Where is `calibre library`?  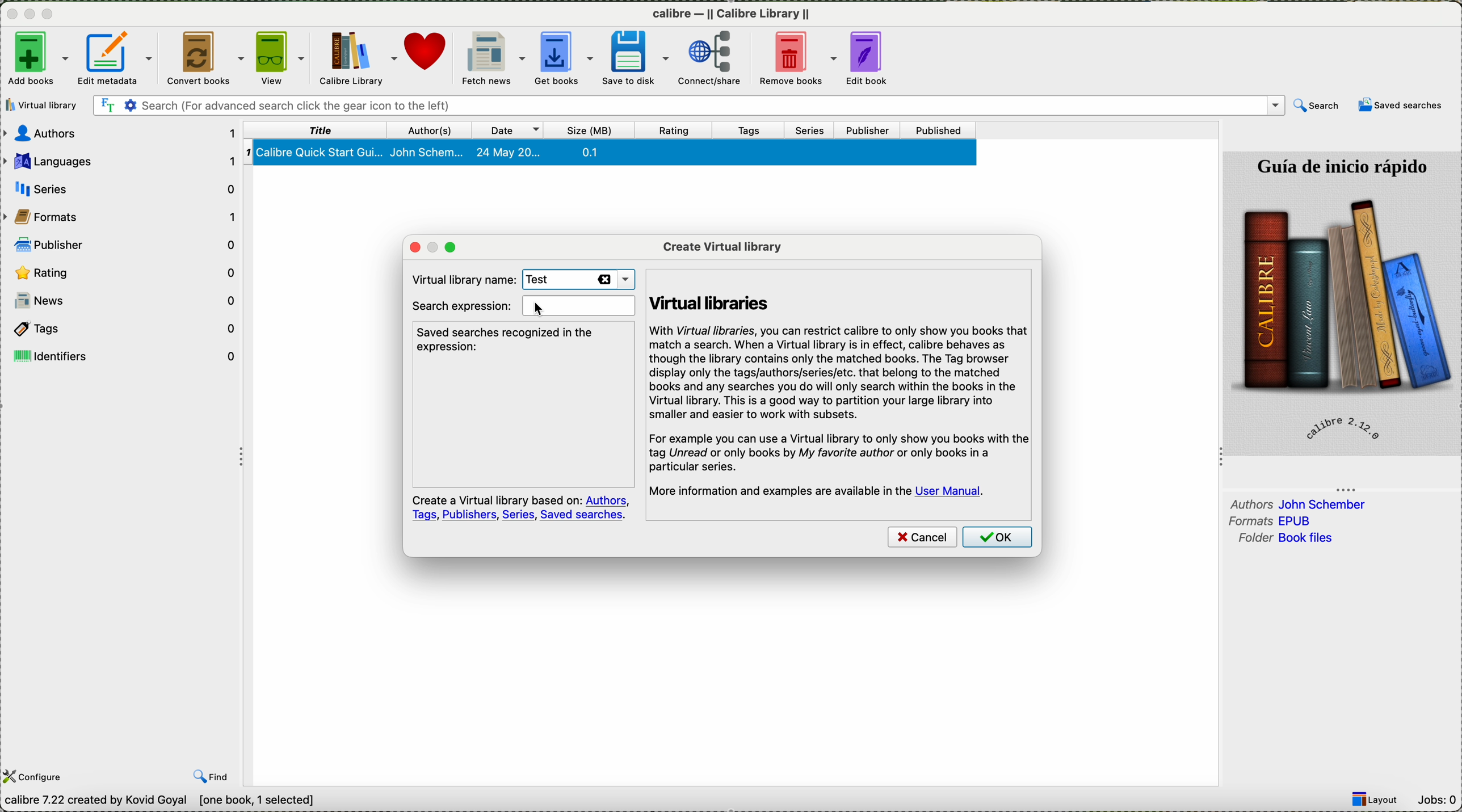
calibre library is located at coordinates (360, 58).